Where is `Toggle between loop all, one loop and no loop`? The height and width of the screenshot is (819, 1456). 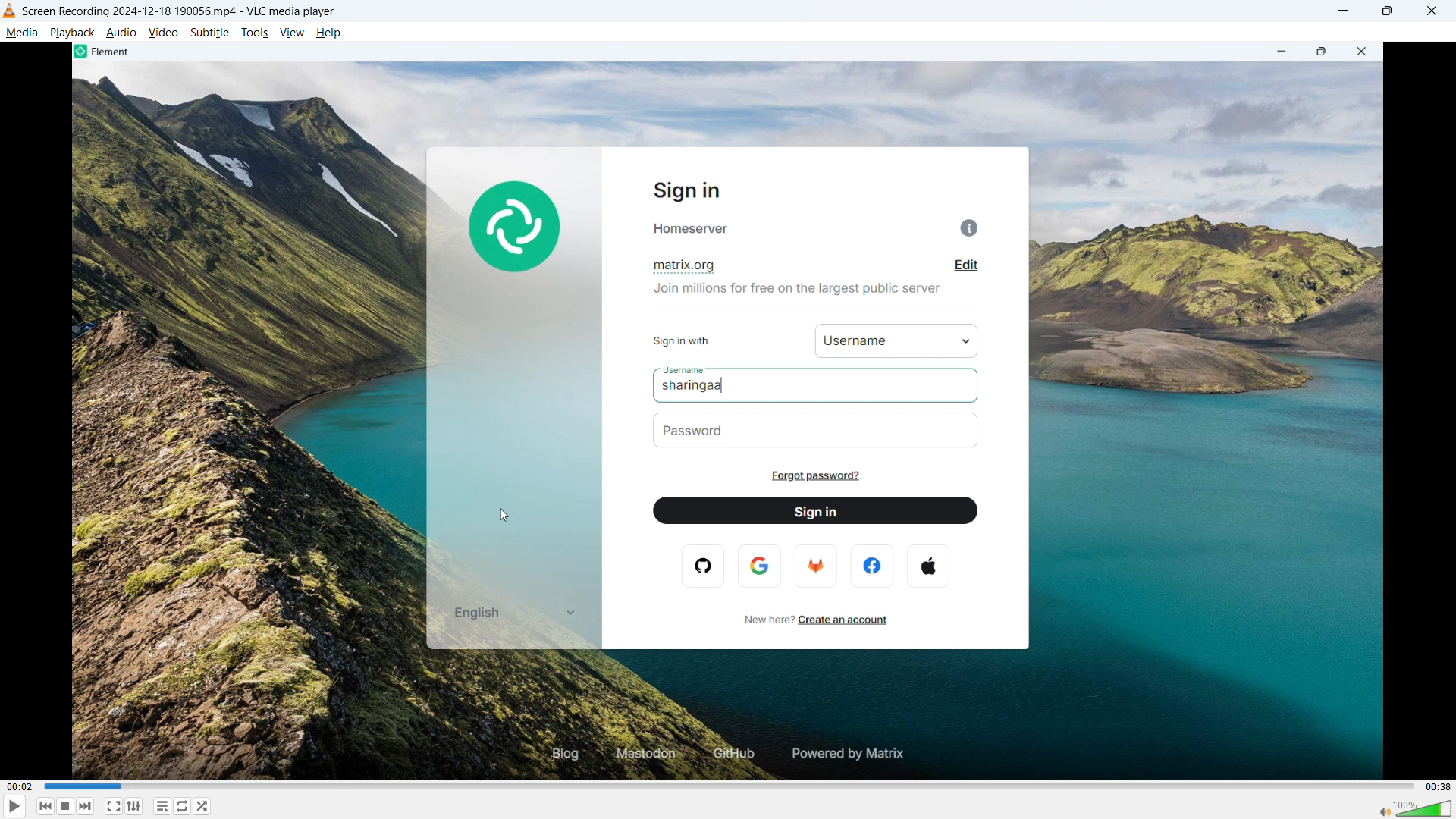
Toggle between loop all, one loop and no loop is located at coordinates (183, 806).